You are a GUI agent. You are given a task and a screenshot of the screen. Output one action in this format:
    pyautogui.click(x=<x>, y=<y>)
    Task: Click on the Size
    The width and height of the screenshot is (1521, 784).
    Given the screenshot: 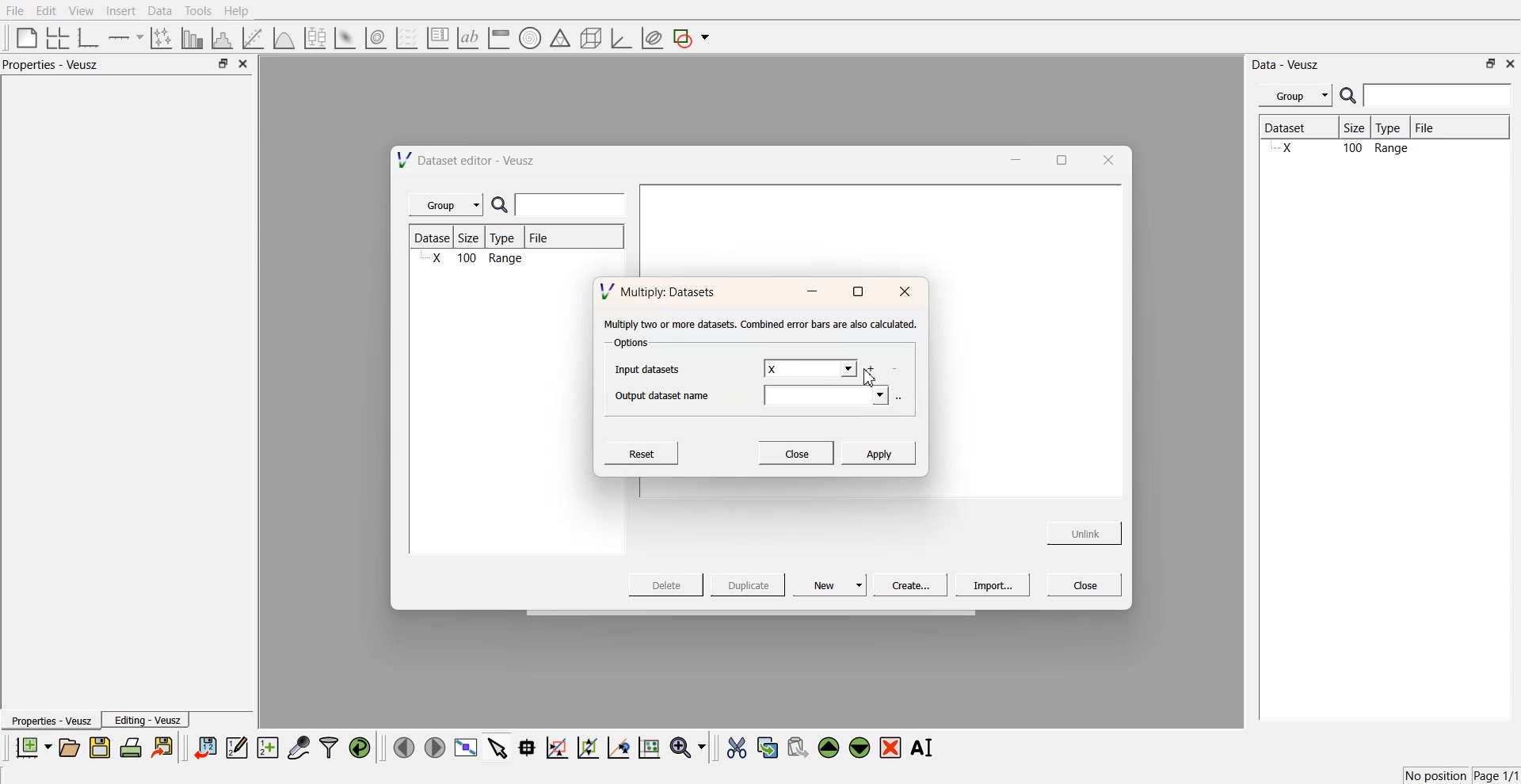 What is the action you would take?
    pyautogui.click(x=474, y=238)
    